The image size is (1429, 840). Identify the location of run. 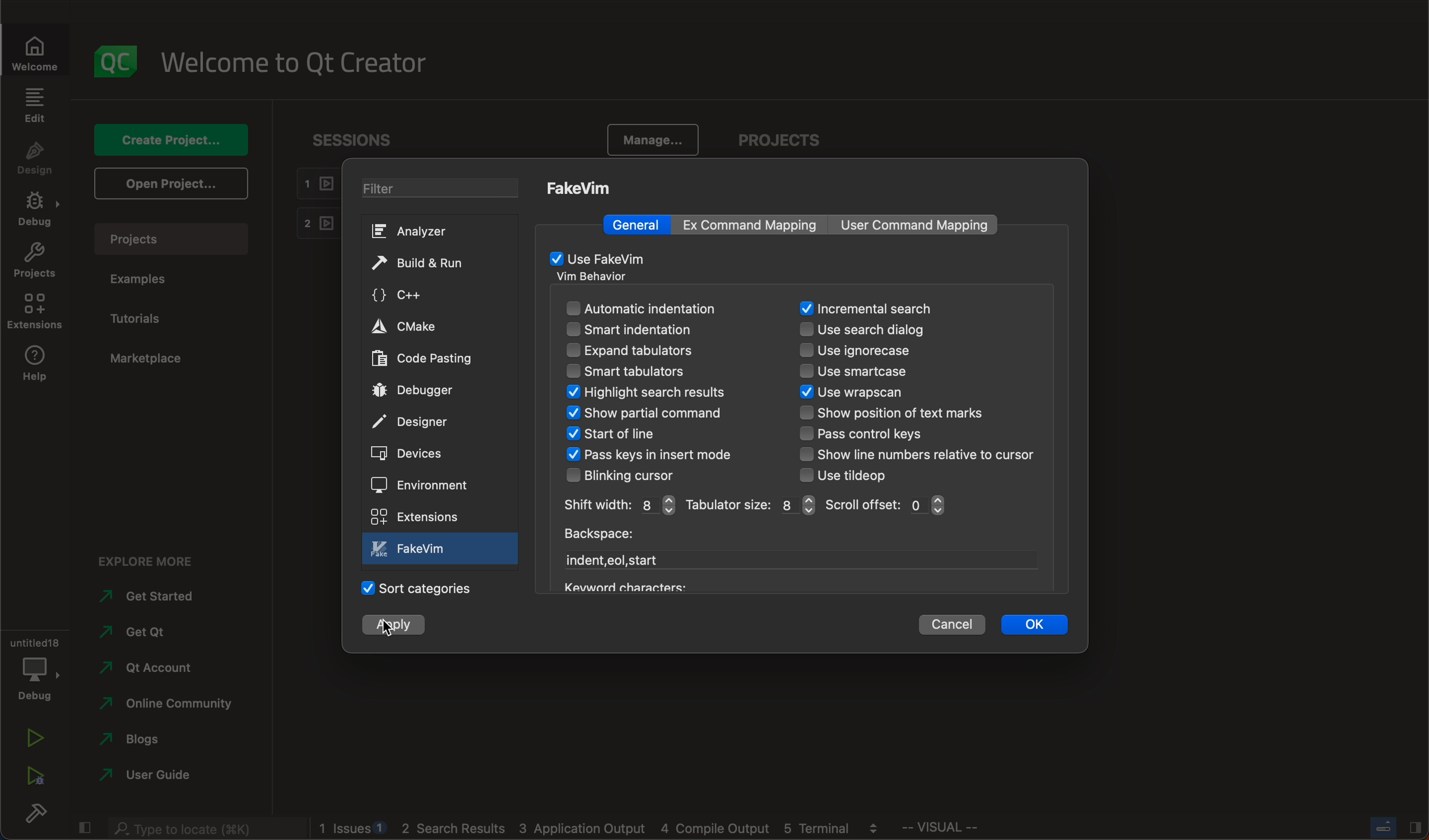
(33, 737).